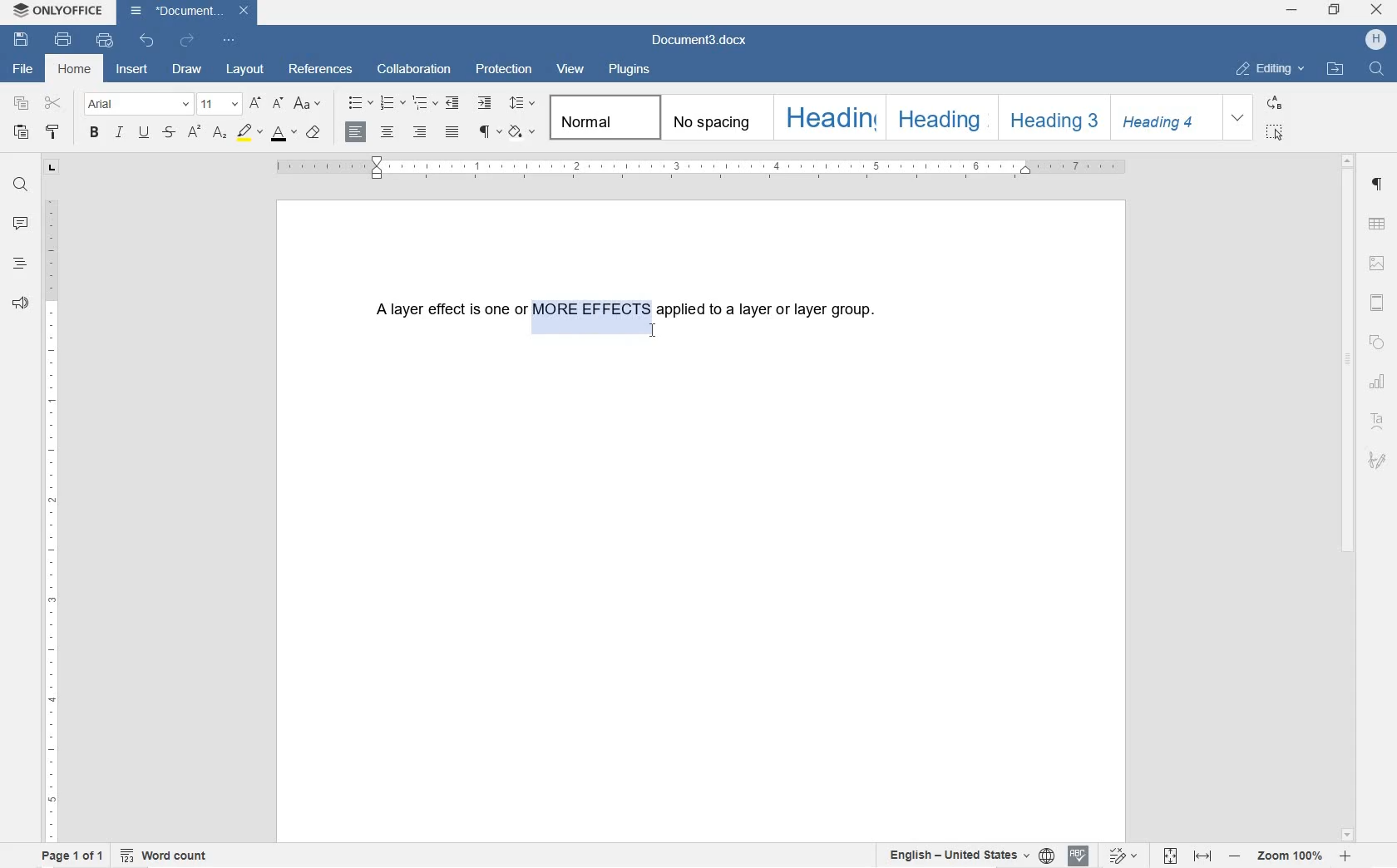 This screenshot has width=1397, height=868. What do you see at coordinates (1291, 858) in the screenshot?
I see `ZOOM IN OR OUT` at bounding box center [1291, 858].